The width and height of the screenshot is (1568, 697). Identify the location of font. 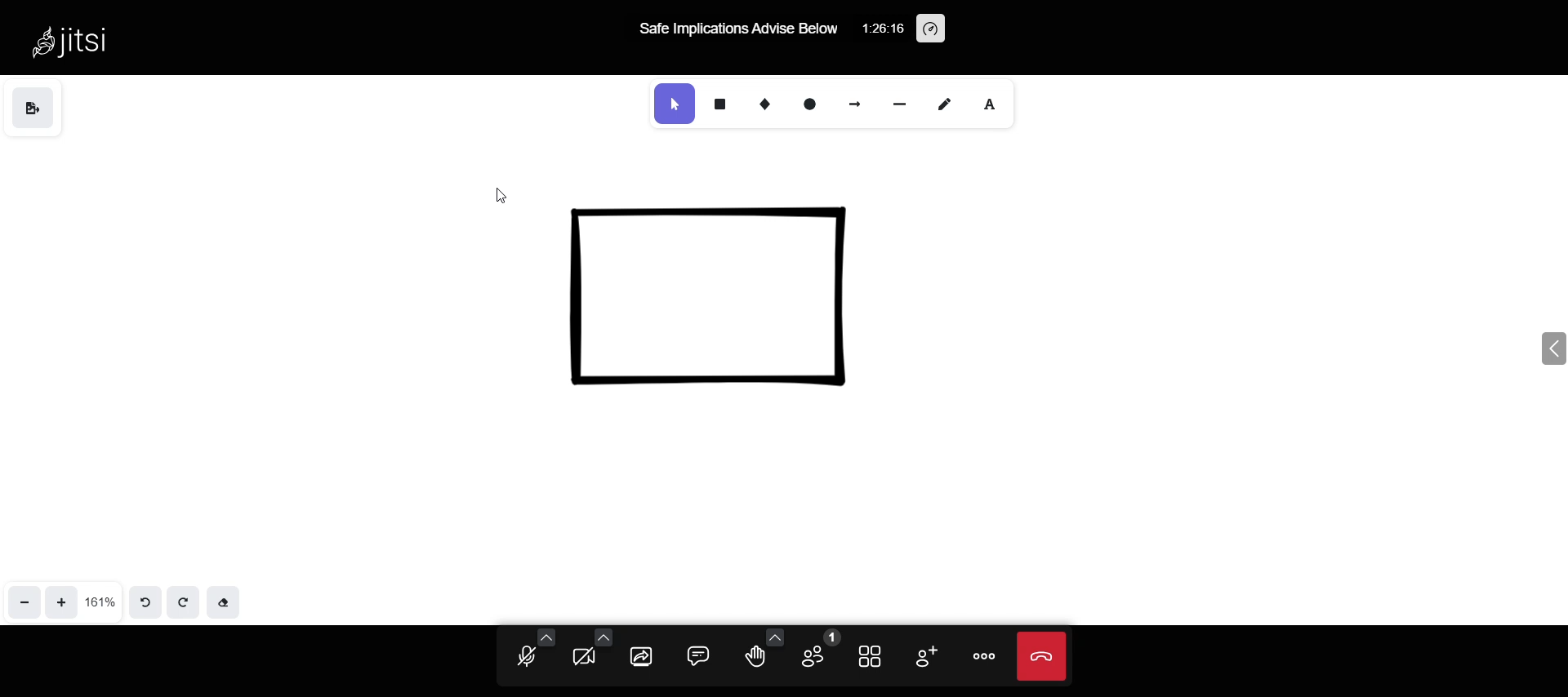
(996, 106).